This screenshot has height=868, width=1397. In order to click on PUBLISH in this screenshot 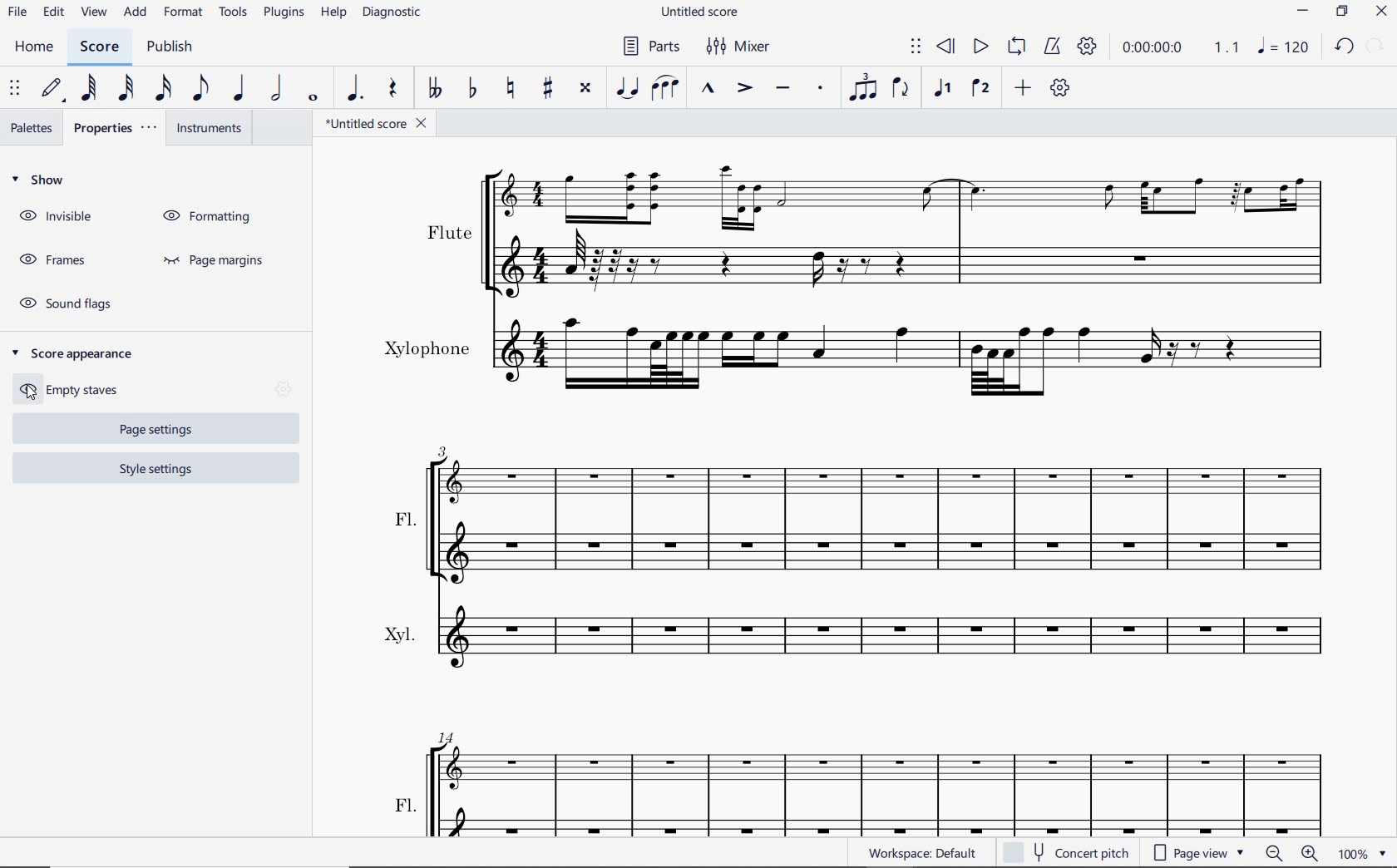, I will do `click(170, 47)`.